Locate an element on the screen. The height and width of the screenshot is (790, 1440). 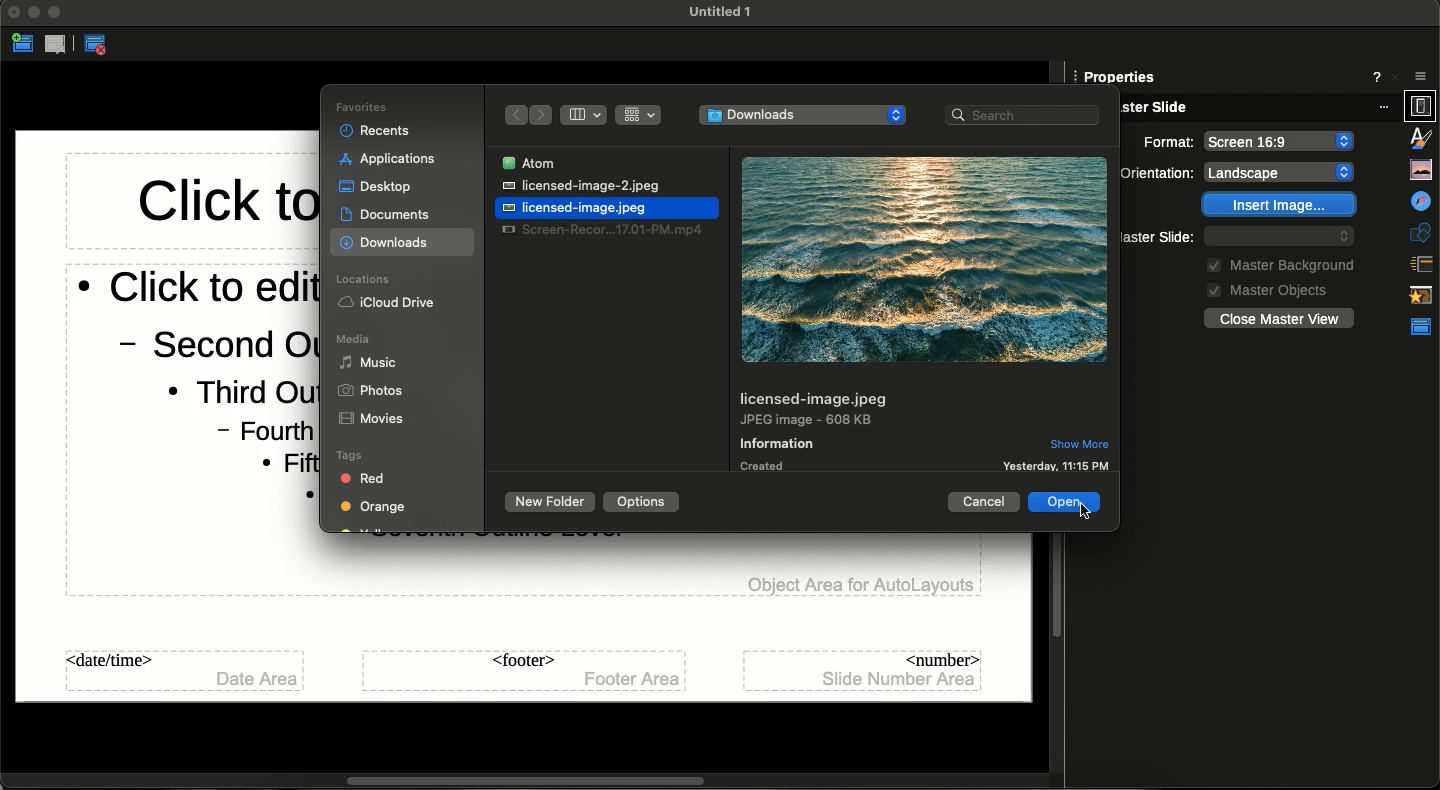
Tags is located at coordinates (355, 457).